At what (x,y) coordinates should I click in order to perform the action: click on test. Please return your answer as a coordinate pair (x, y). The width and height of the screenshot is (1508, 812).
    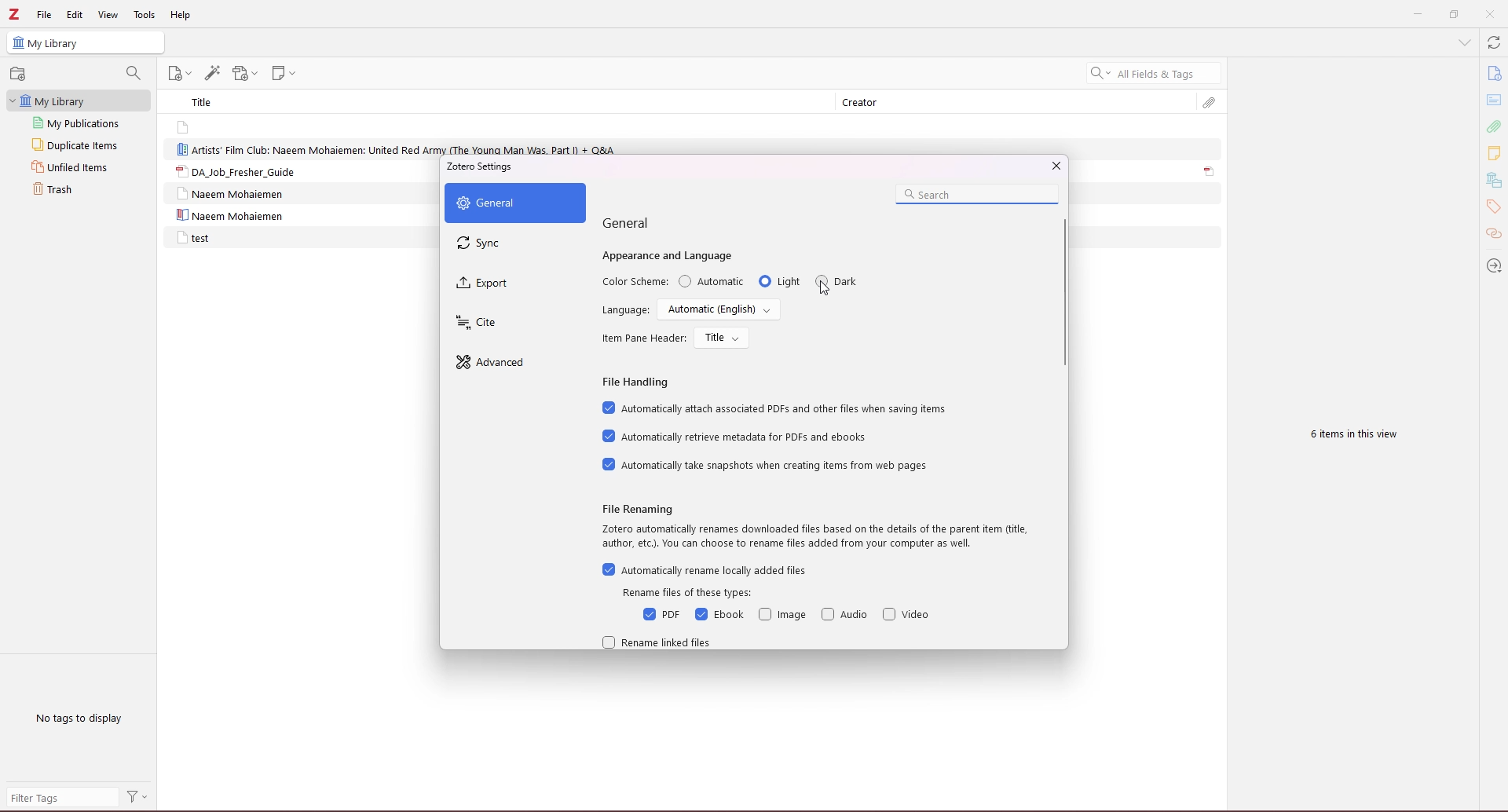
    Looking at the image, I should click on (193, 238).